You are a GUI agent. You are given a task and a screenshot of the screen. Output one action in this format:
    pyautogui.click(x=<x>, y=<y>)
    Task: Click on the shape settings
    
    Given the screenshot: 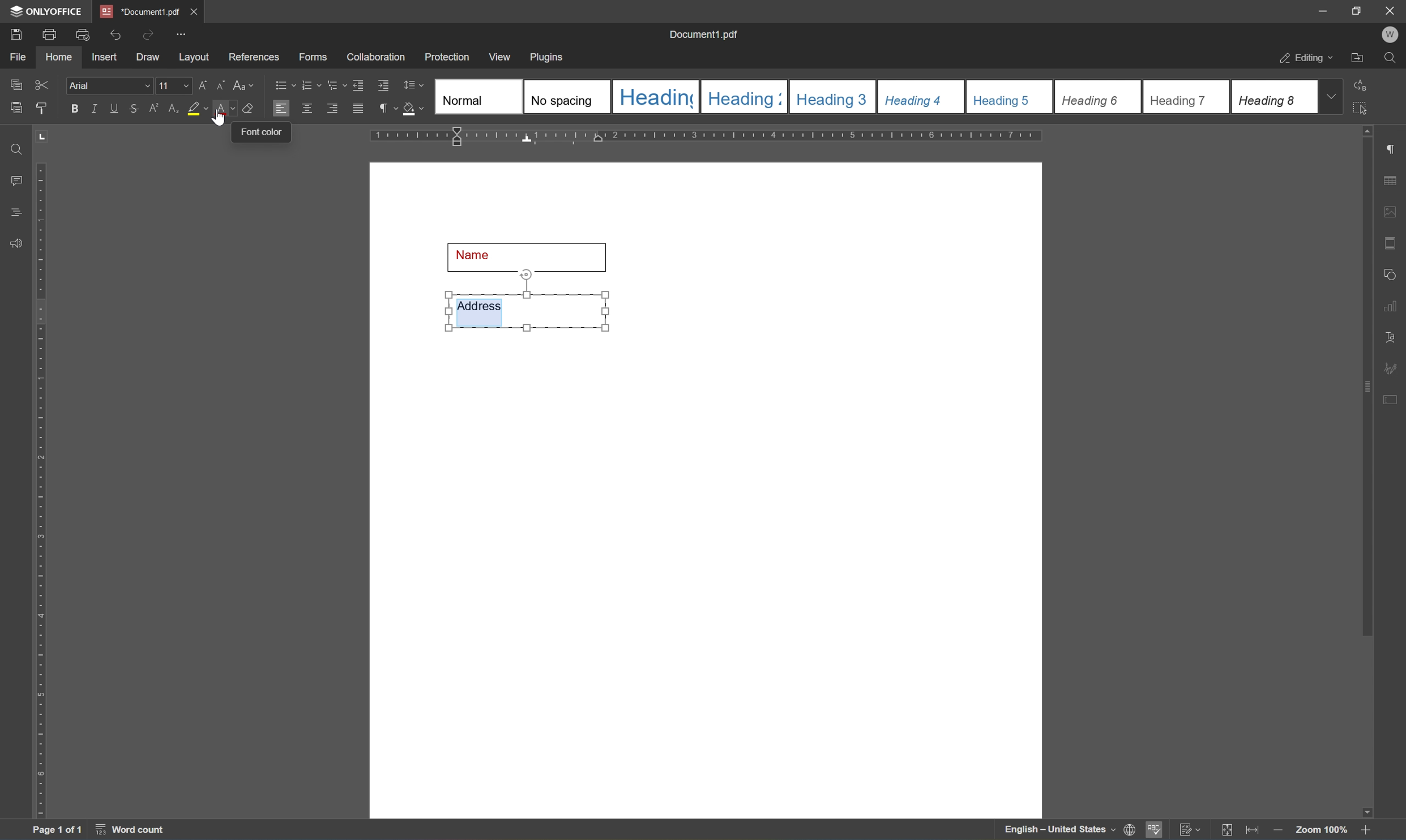 What is the action you would take?
    pyautogui.click(x=1393, y=272)
    